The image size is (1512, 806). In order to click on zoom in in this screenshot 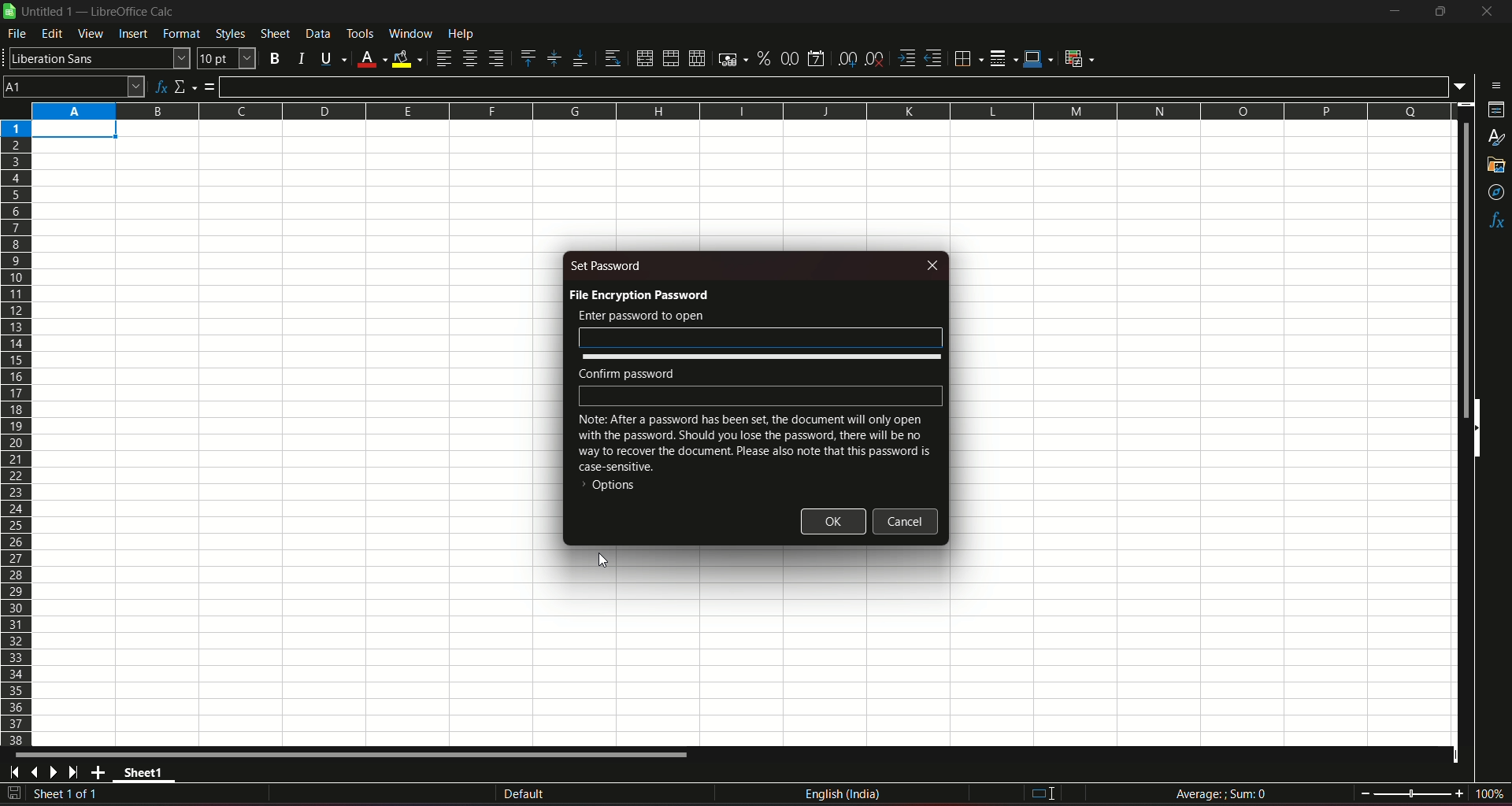, I will do `click(1458, 793)`.